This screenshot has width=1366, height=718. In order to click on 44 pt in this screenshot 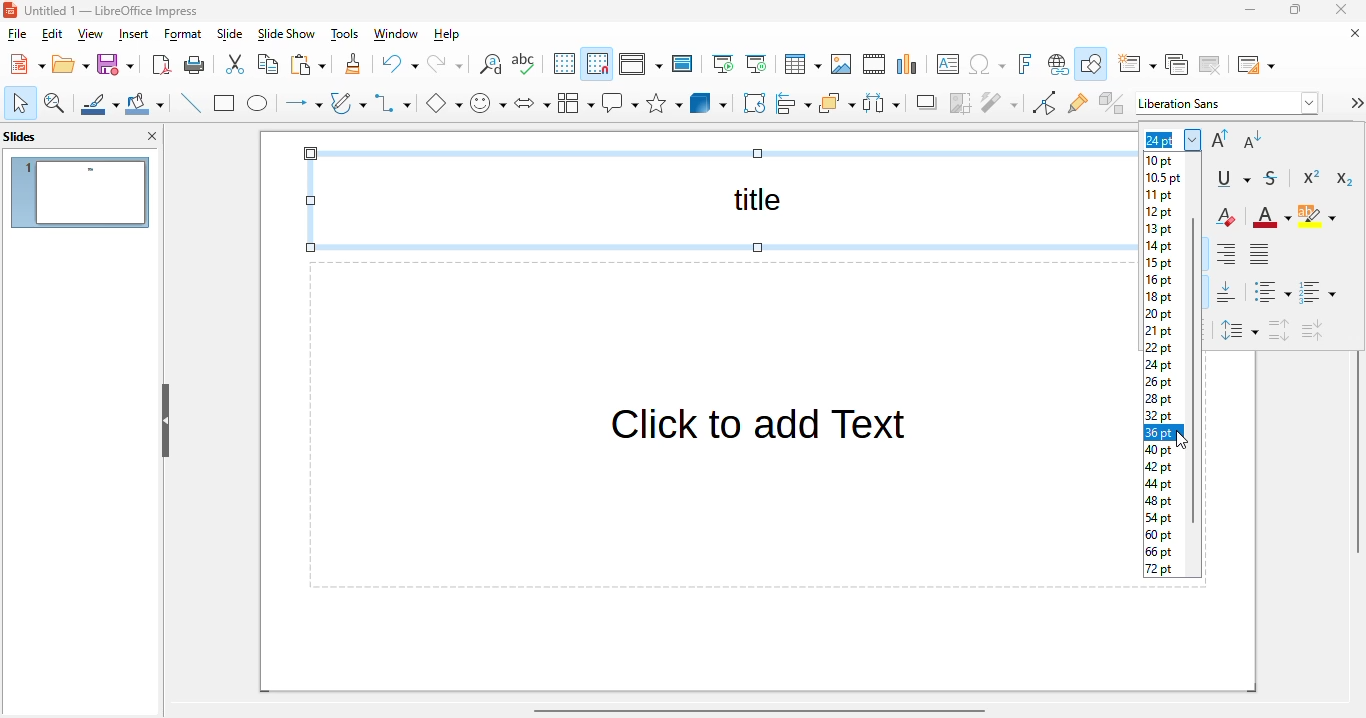, I will do `click(1160, 485)`.